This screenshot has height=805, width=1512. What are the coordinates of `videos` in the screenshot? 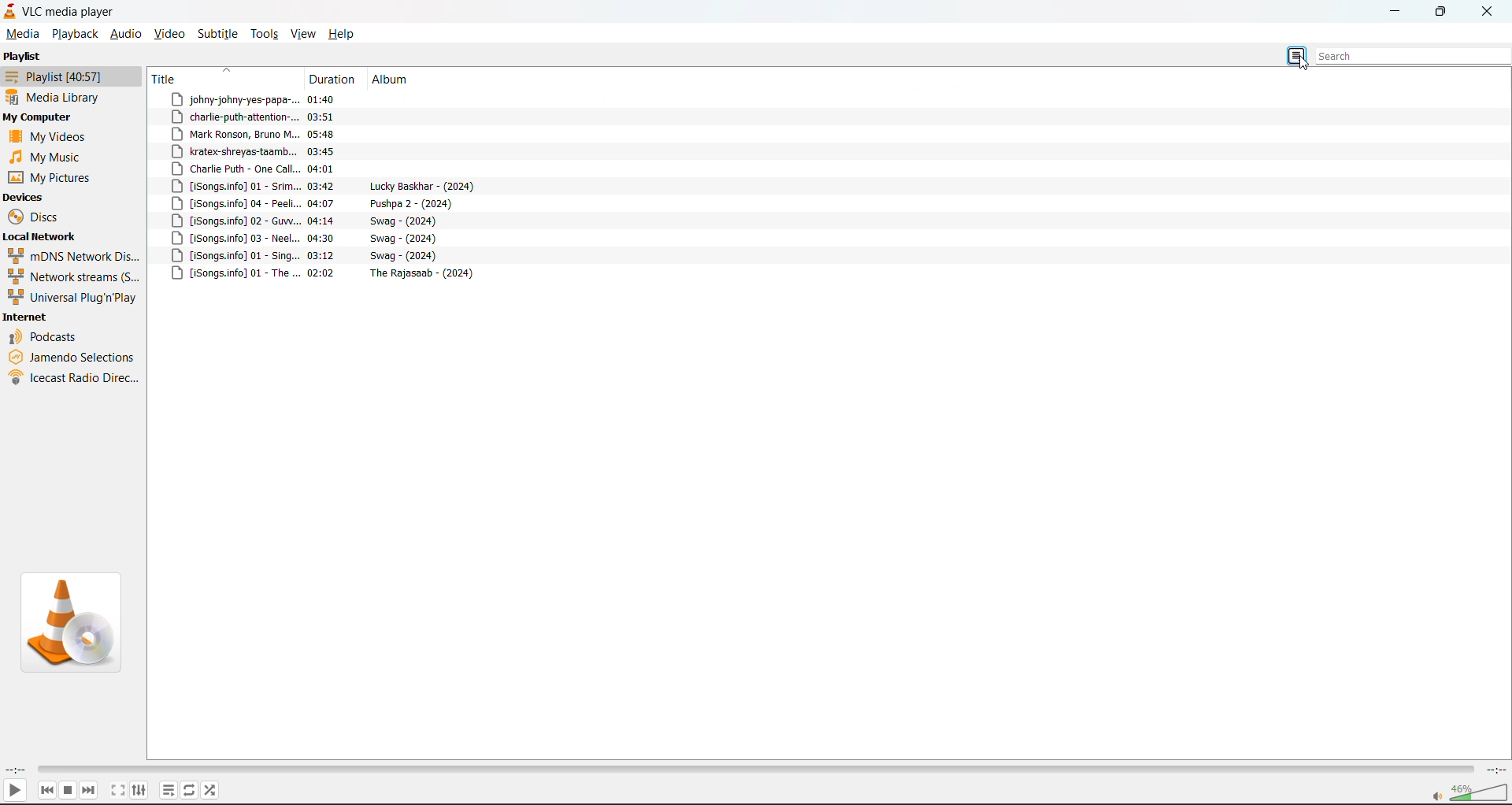 It's located at (49, 136).